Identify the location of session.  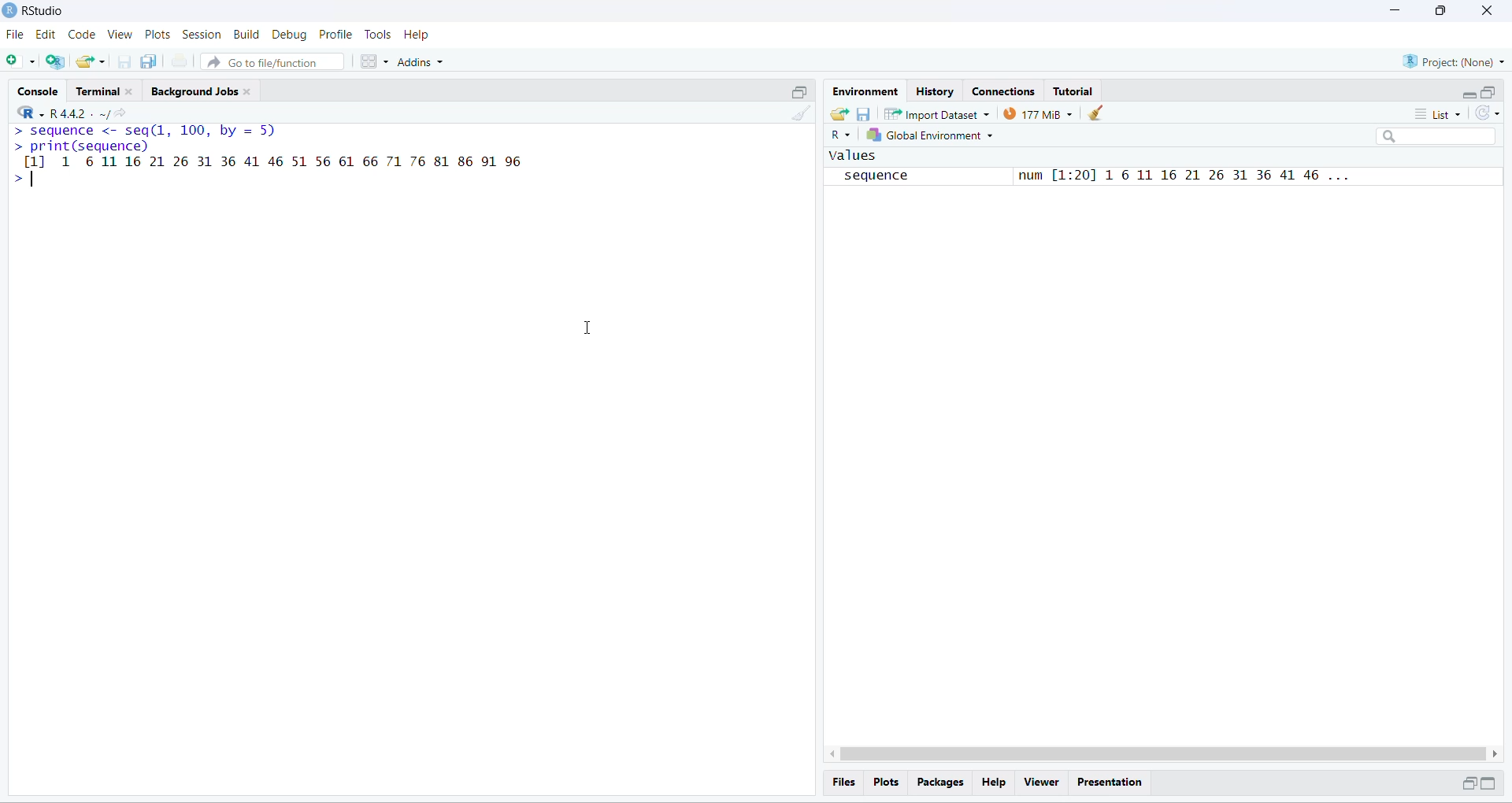
(202, 35).